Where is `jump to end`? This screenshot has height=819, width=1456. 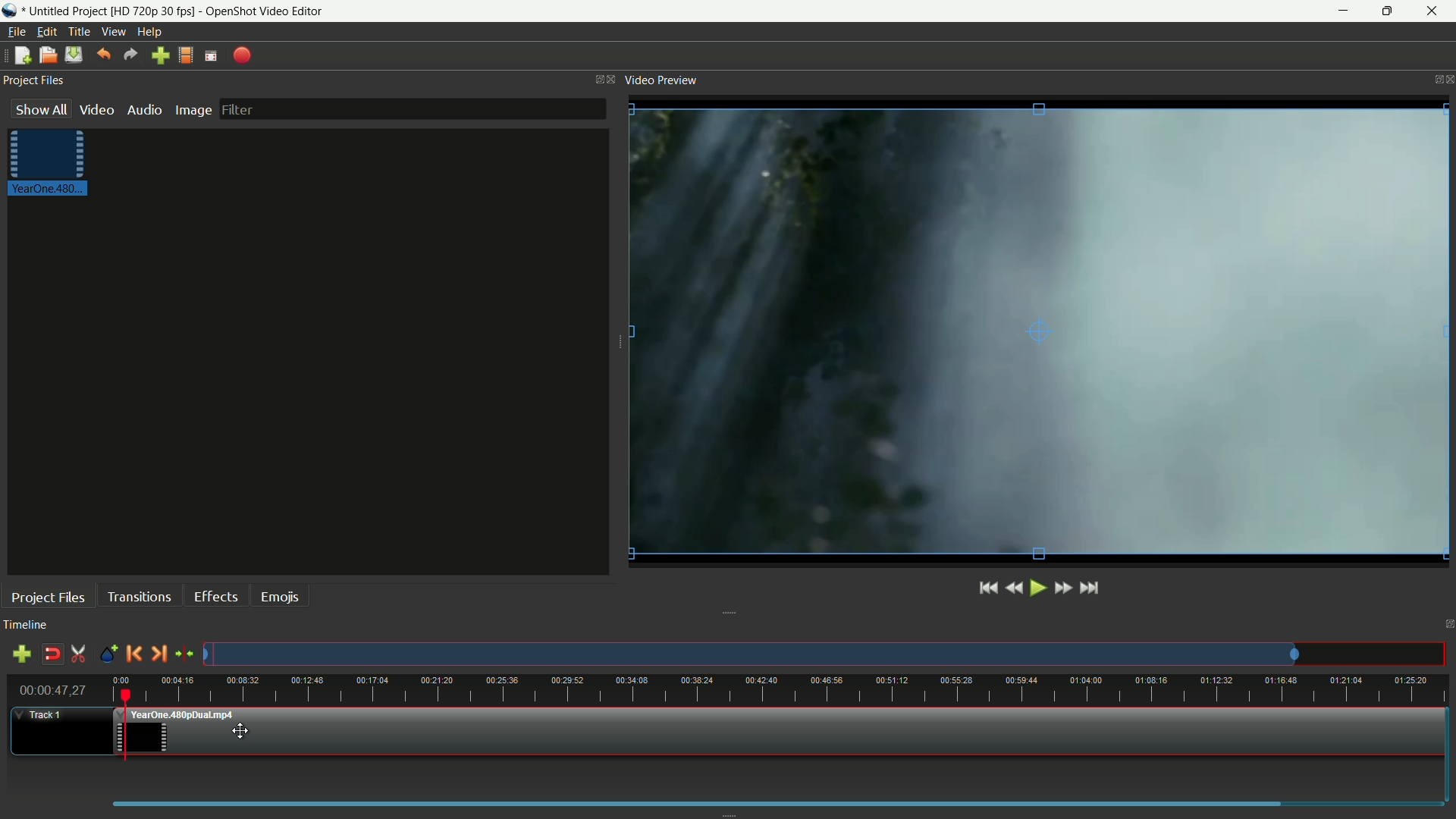
jump to end is located at coordinates (1088, 588).